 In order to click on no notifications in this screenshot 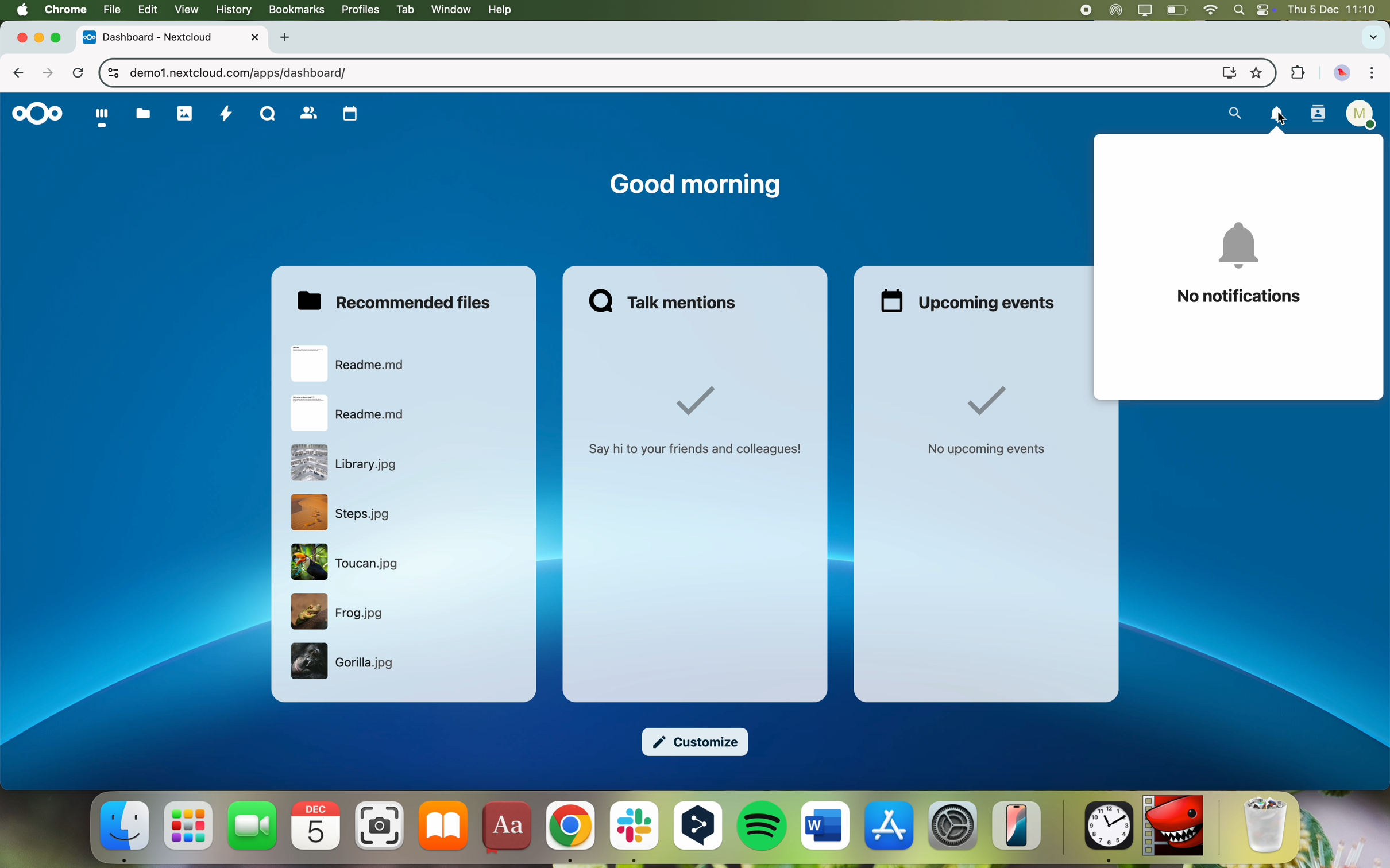, I will do `click(1240, 265)`.